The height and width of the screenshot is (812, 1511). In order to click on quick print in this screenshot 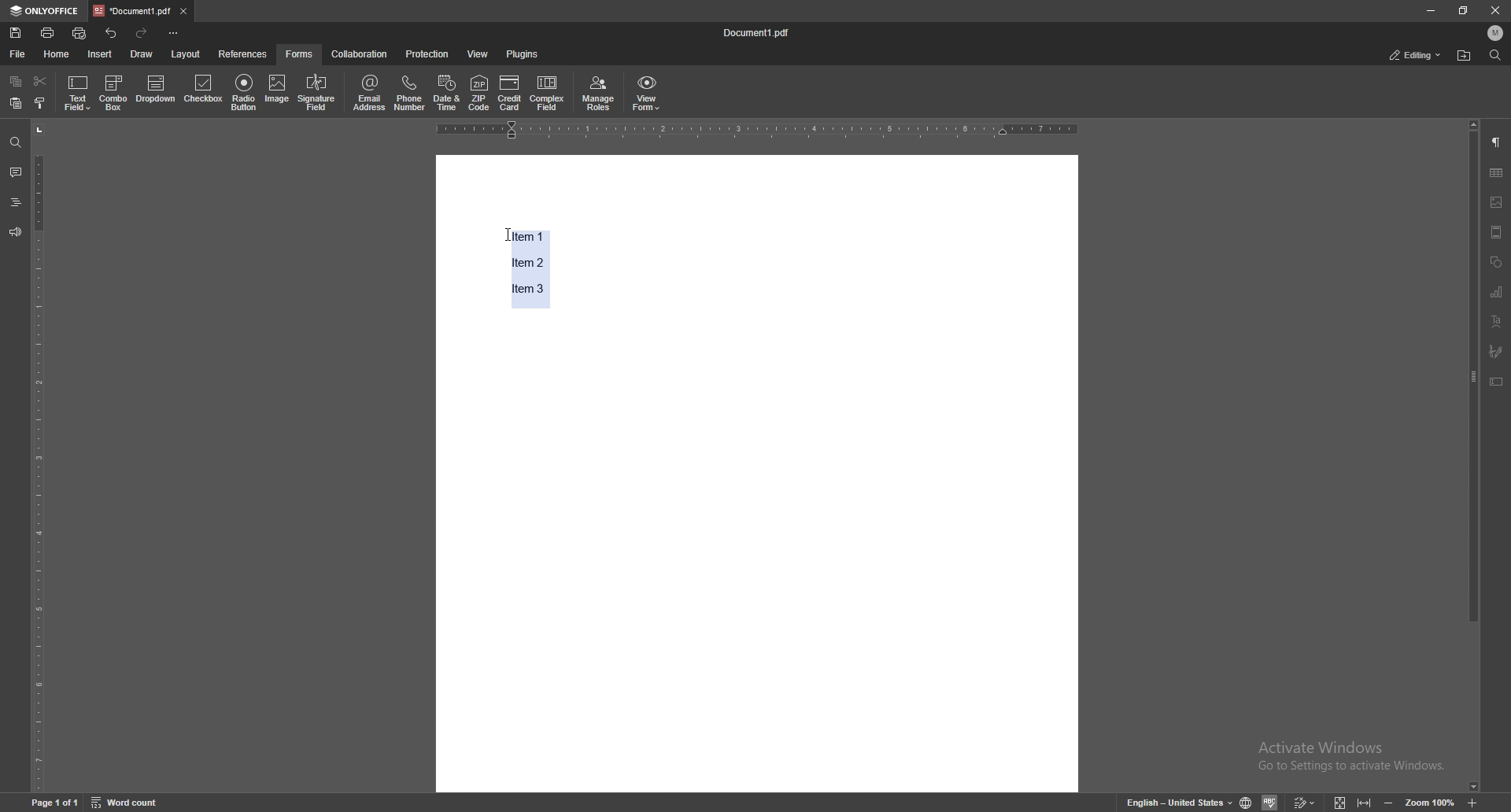, I will do `click(79, 34)`.